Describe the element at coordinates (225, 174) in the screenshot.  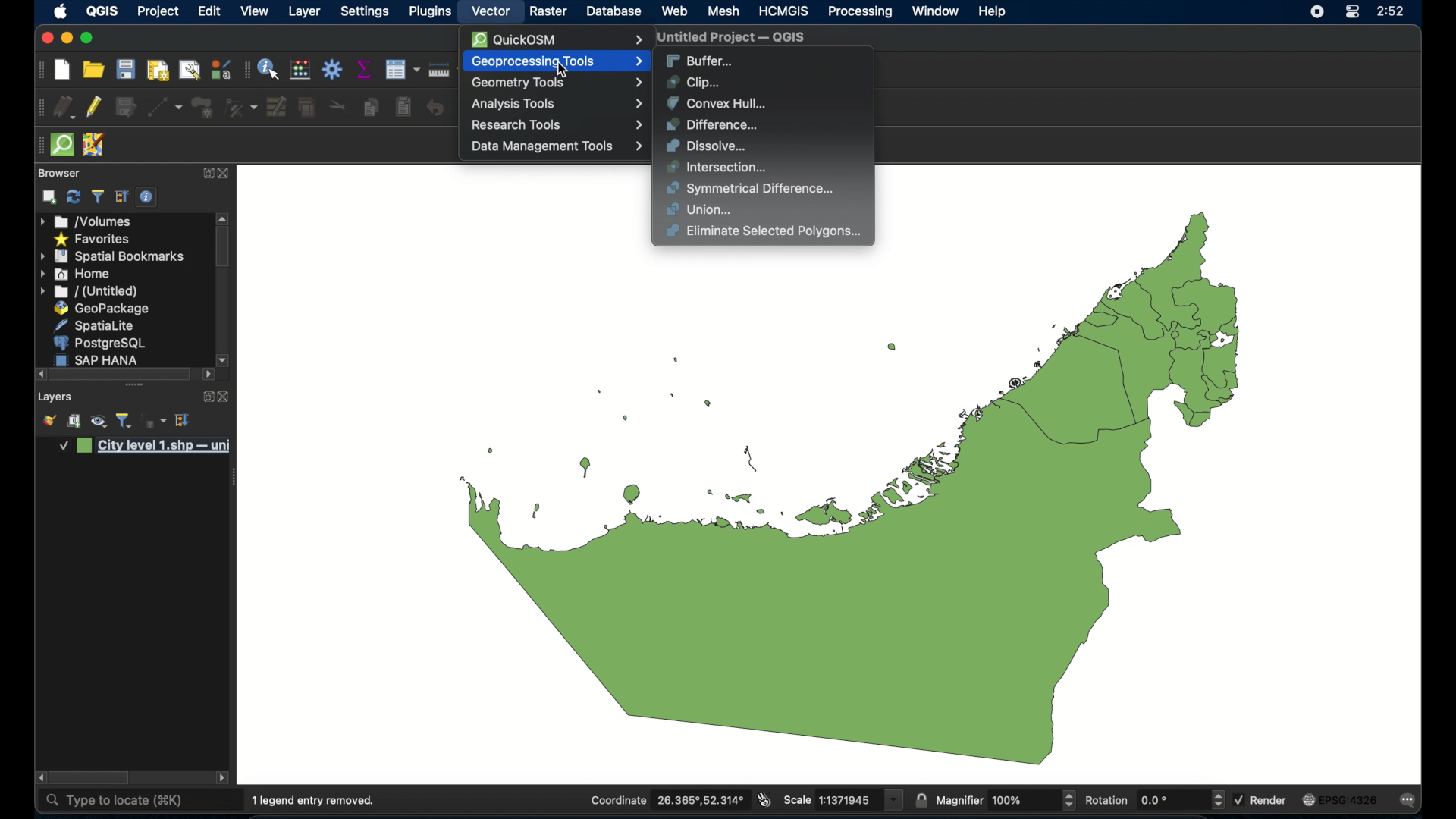
I see `close` at that location.